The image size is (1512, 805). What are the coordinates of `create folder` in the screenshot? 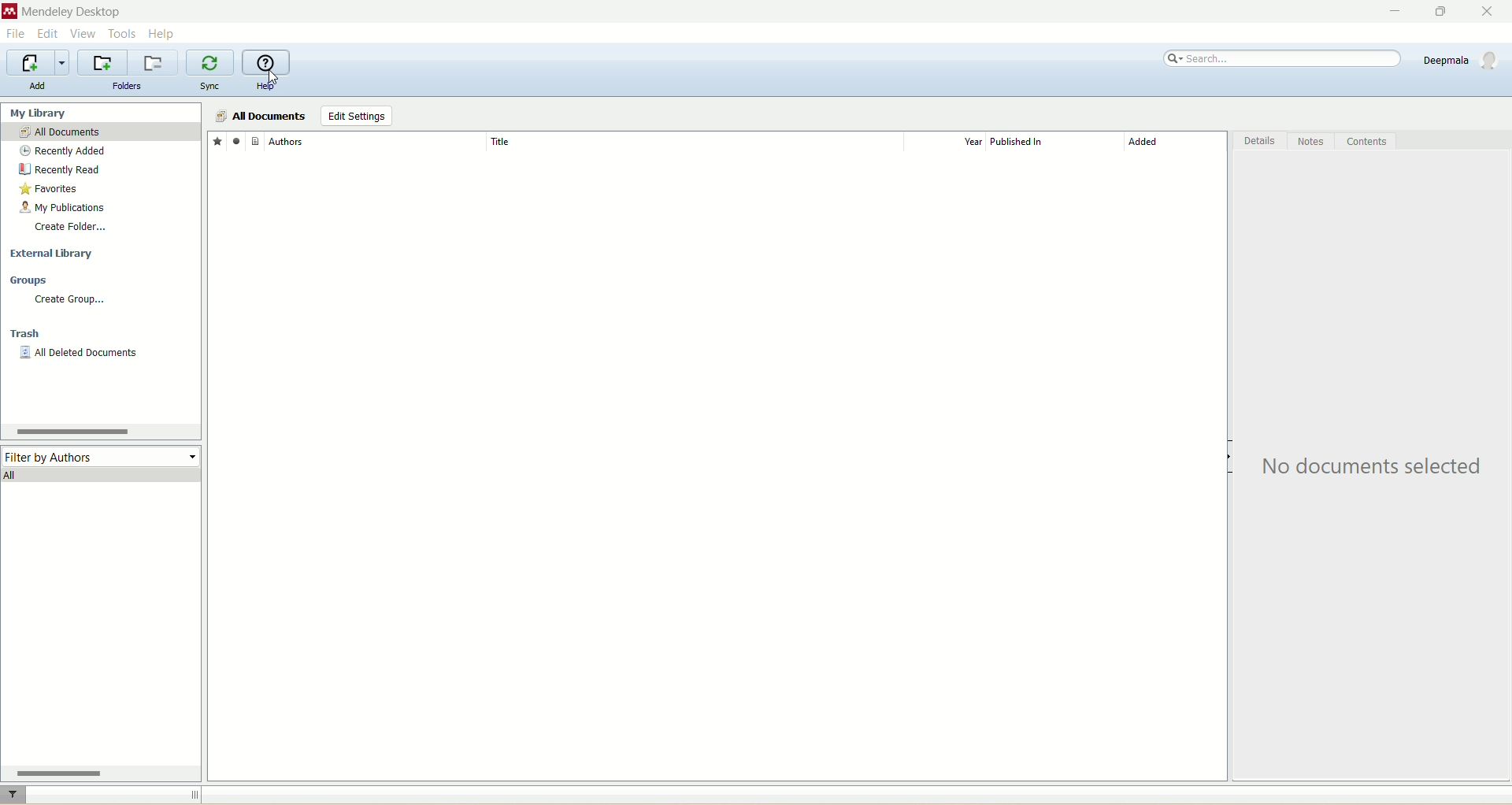 It's located at (72, 228).